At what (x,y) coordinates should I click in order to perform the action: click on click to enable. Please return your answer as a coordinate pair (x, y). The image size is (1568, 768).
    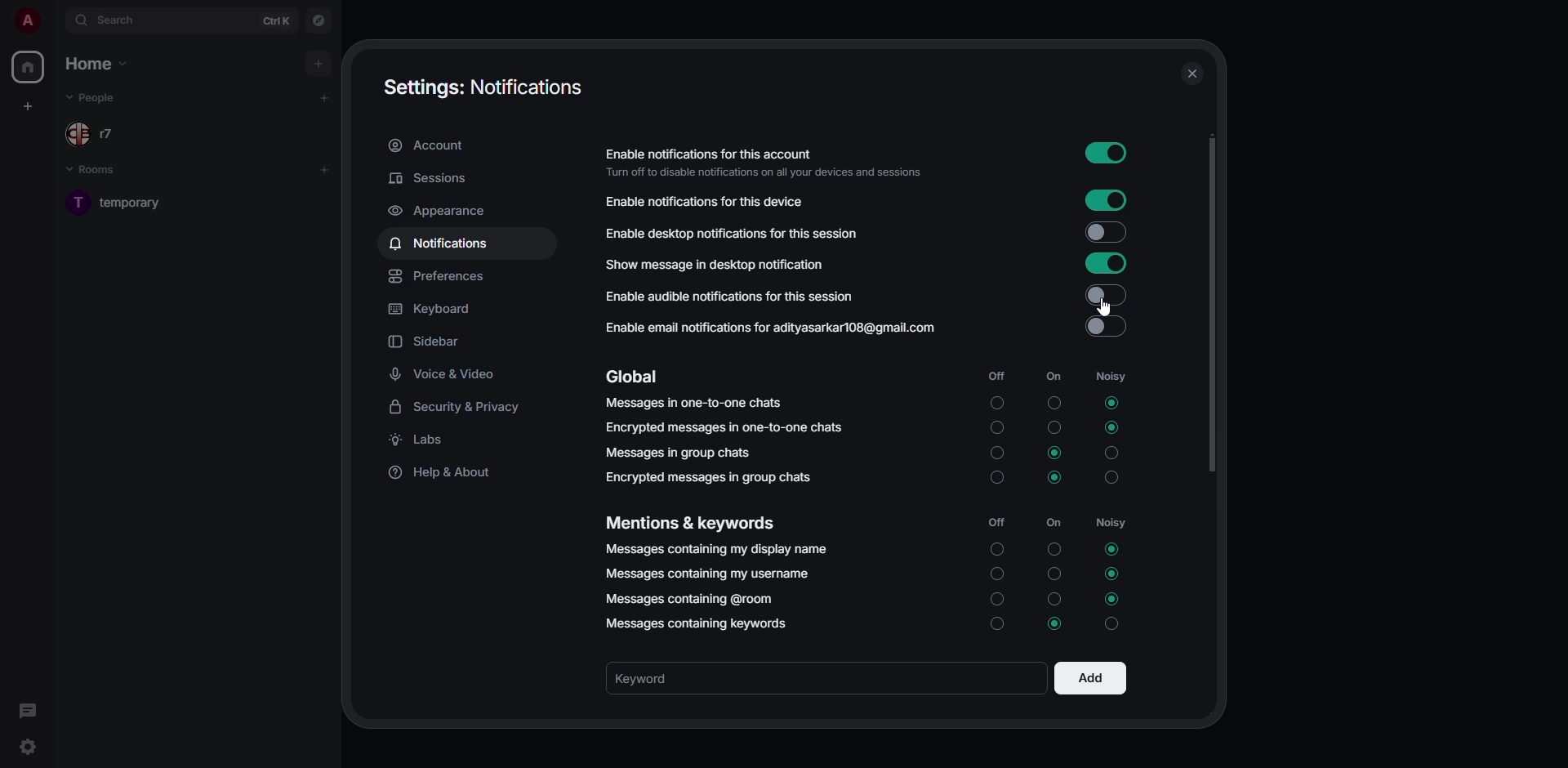
    Looking at the image, I should click on (1106, 327).